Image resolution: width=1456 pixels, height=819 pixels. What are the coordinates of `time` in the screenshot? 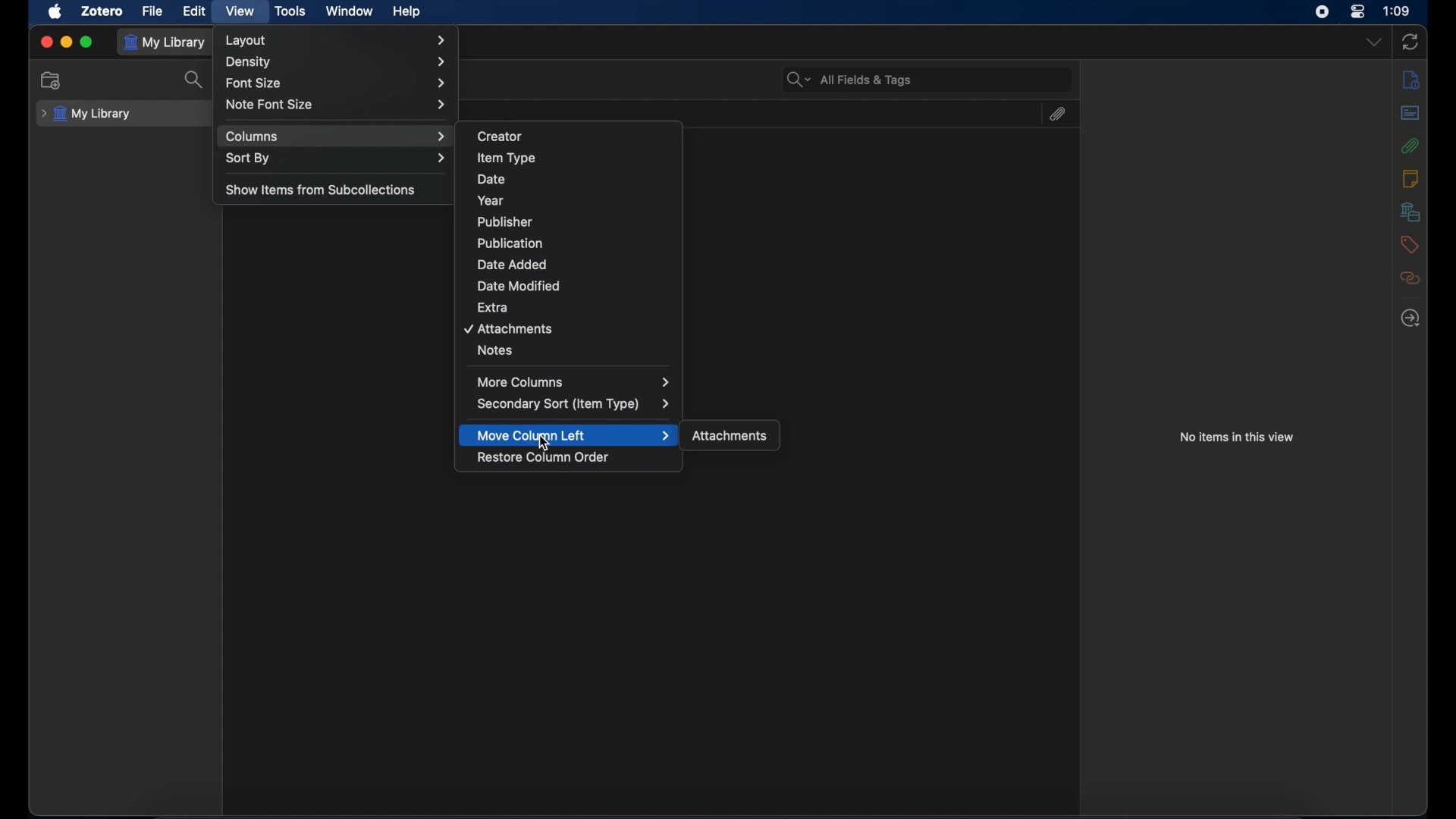 It's located at (1398, 10).